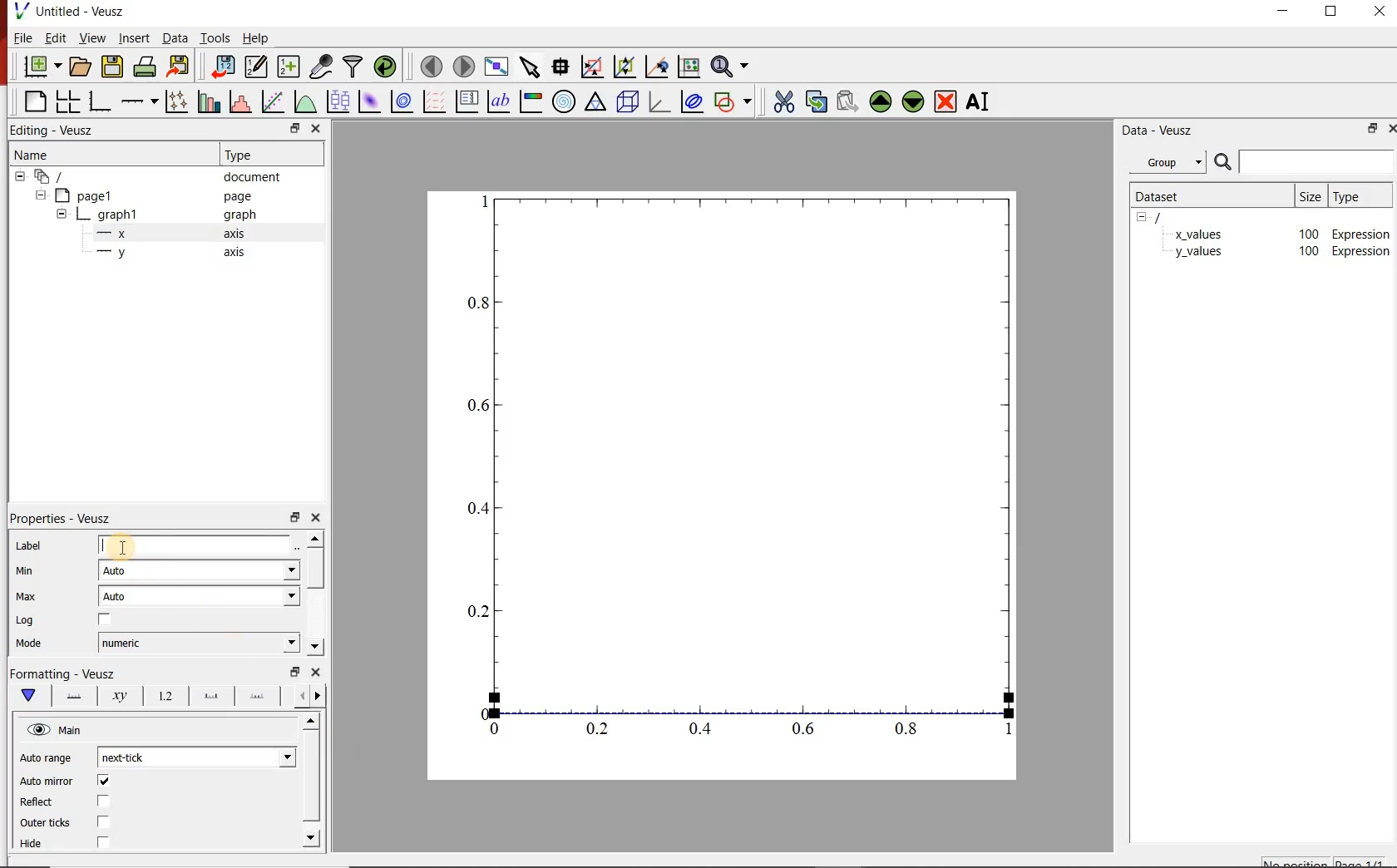 The height and width of the screenshot is (868, 1397). What do you see at coordinates (468, 101) in the screenshot?
I see `plot key` at bounding box center [468, 101].